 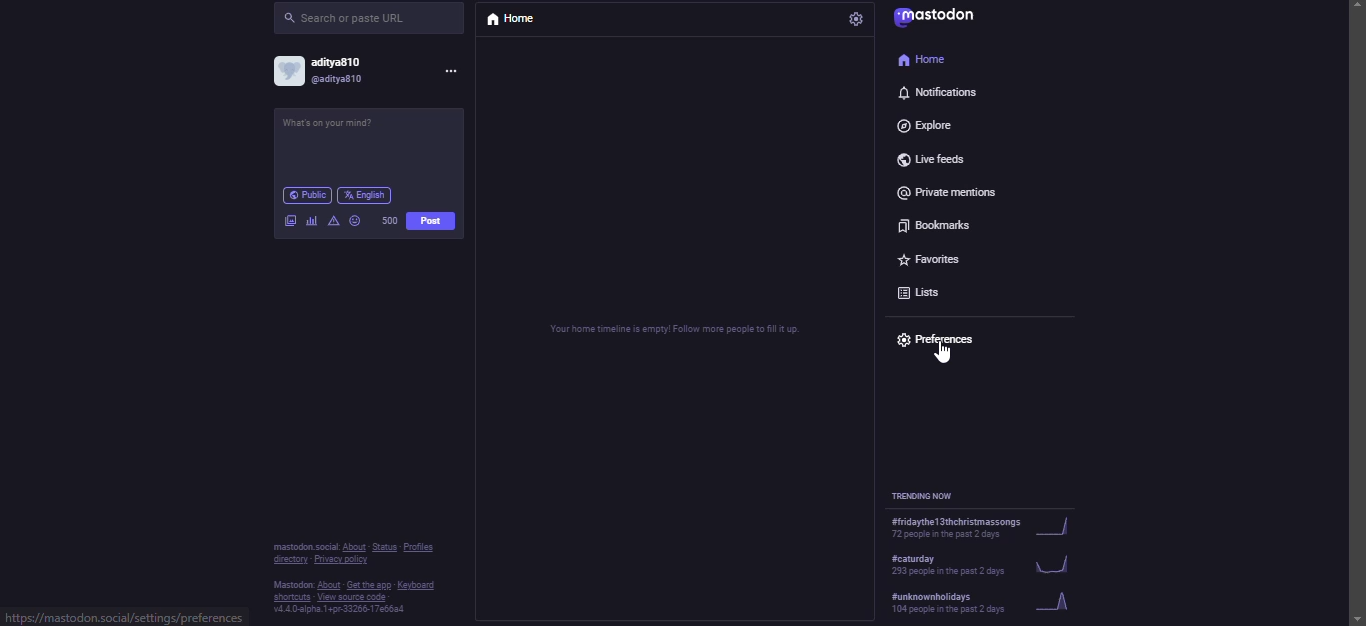 What do you see at coordinates (456, 73) in the screenshot?
I see `more` at bounding box center [456, 73].